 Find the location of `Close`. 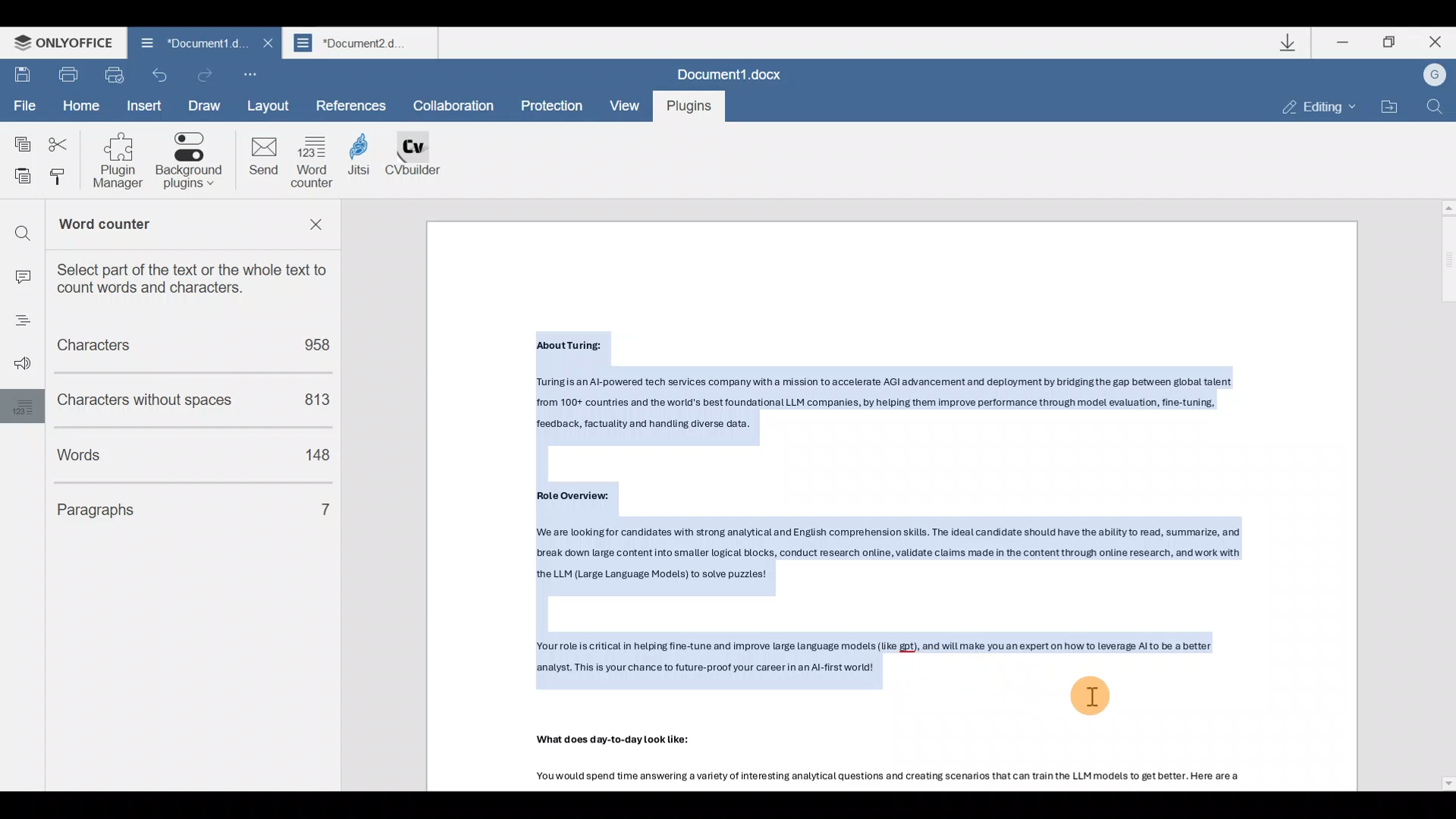

Close is located at coordinates (265, 43).